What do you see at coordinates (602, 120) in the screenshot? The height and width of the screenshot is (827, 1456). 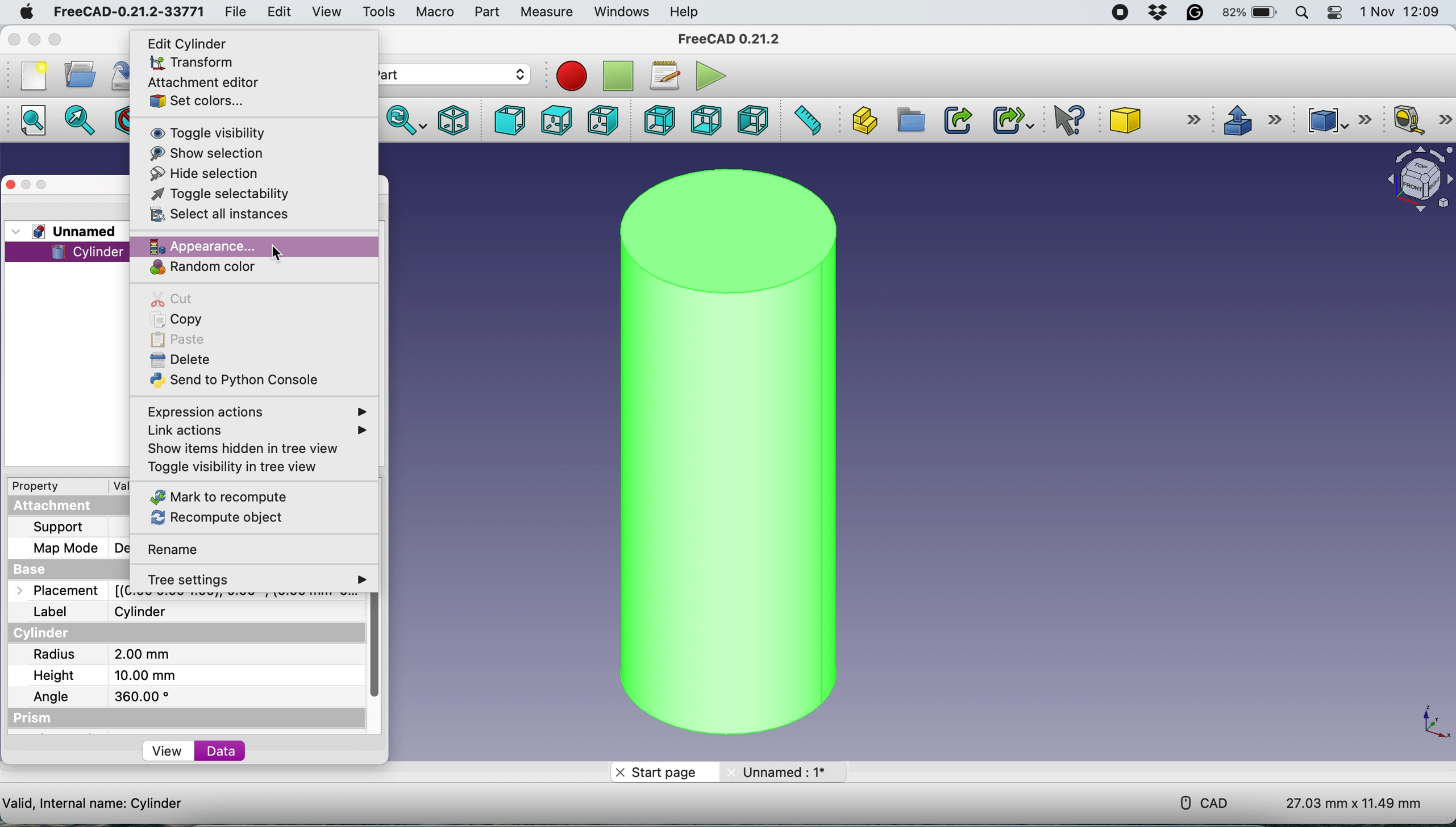 I see `right` at bounding box center [602, 120].